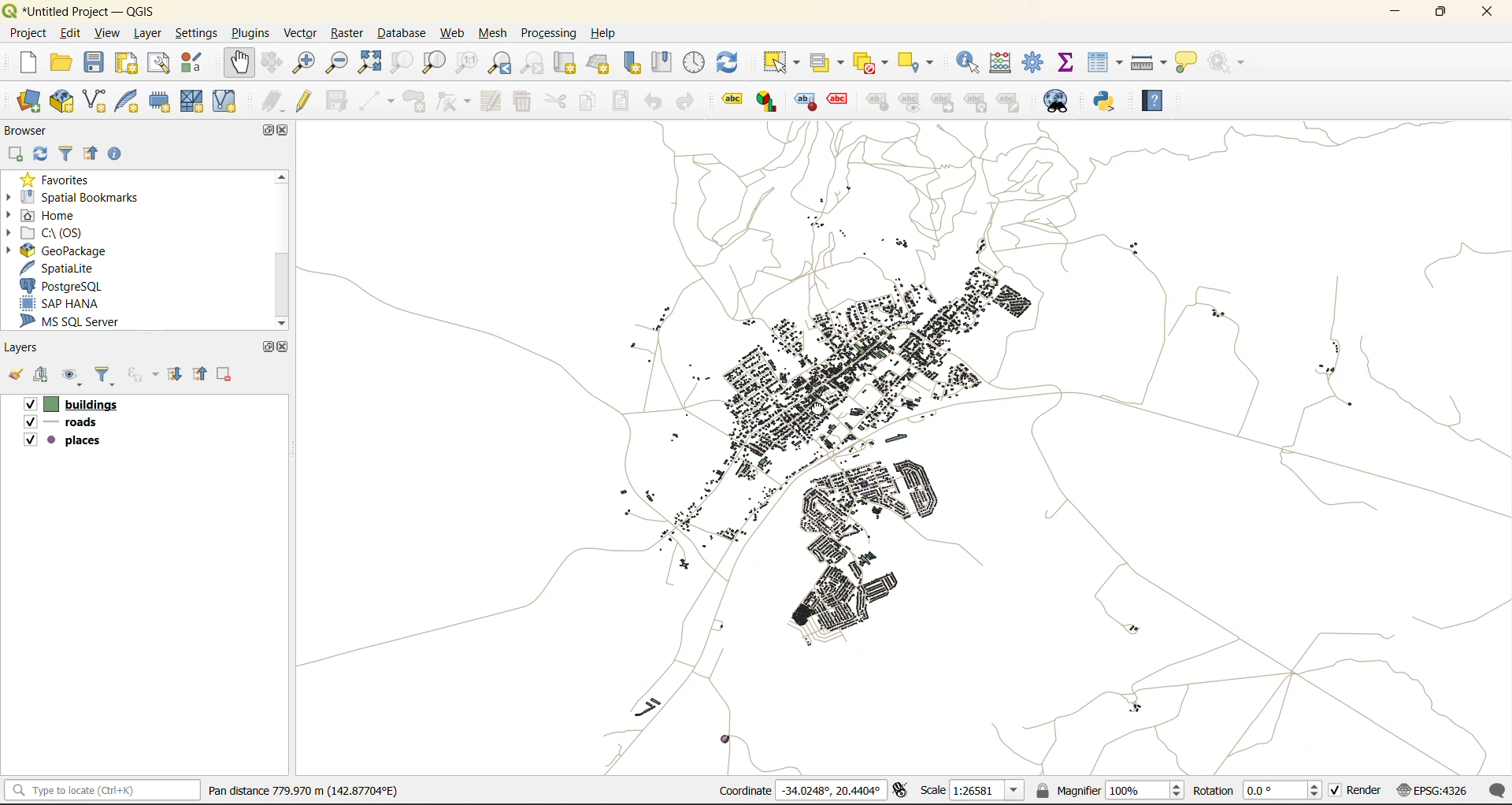 This screenshot has width=1512, height=805. I want to click on close, so click(1489, 15).